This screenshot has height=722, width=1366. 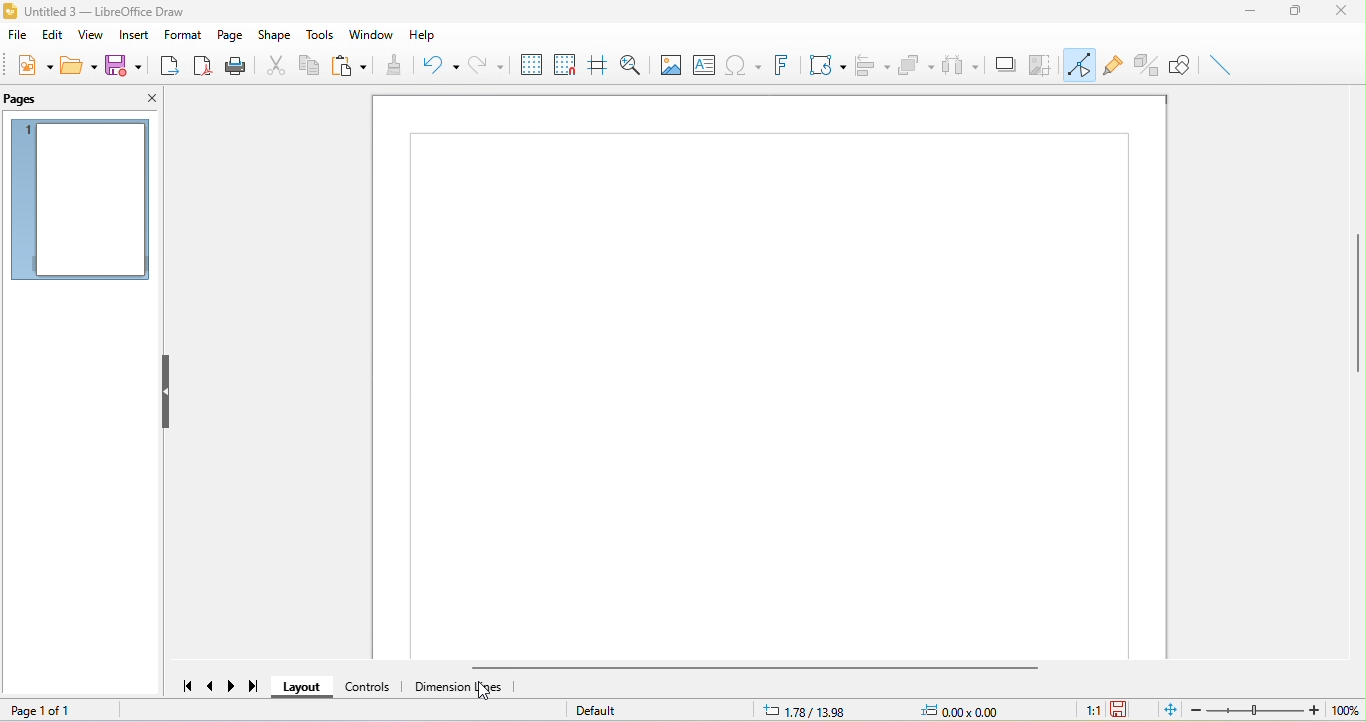 I want to click on minimize, so click(x=1255, y=13).